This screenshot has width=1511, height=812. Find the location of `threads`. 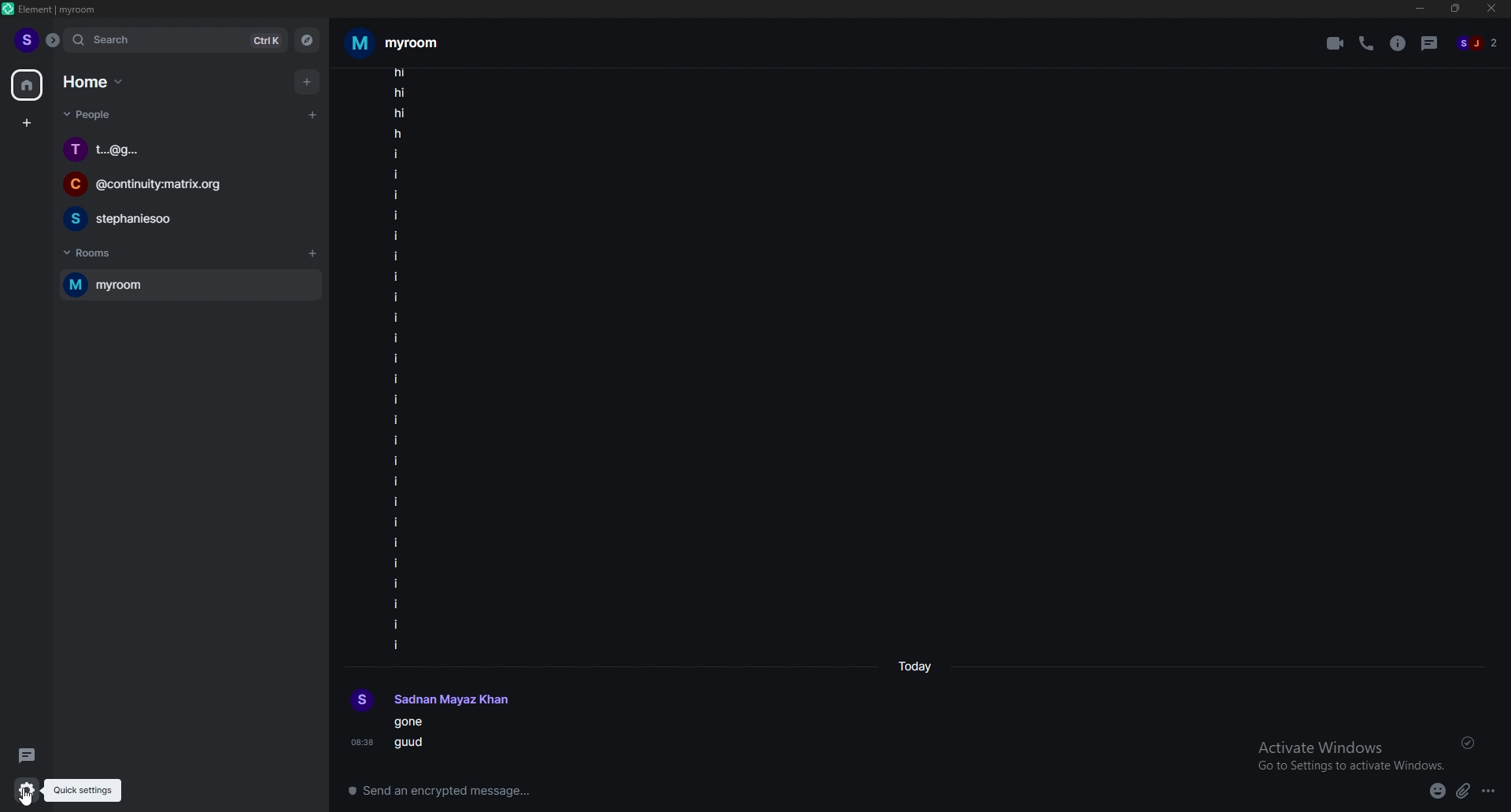

threads is located at coordinates (25, 754).